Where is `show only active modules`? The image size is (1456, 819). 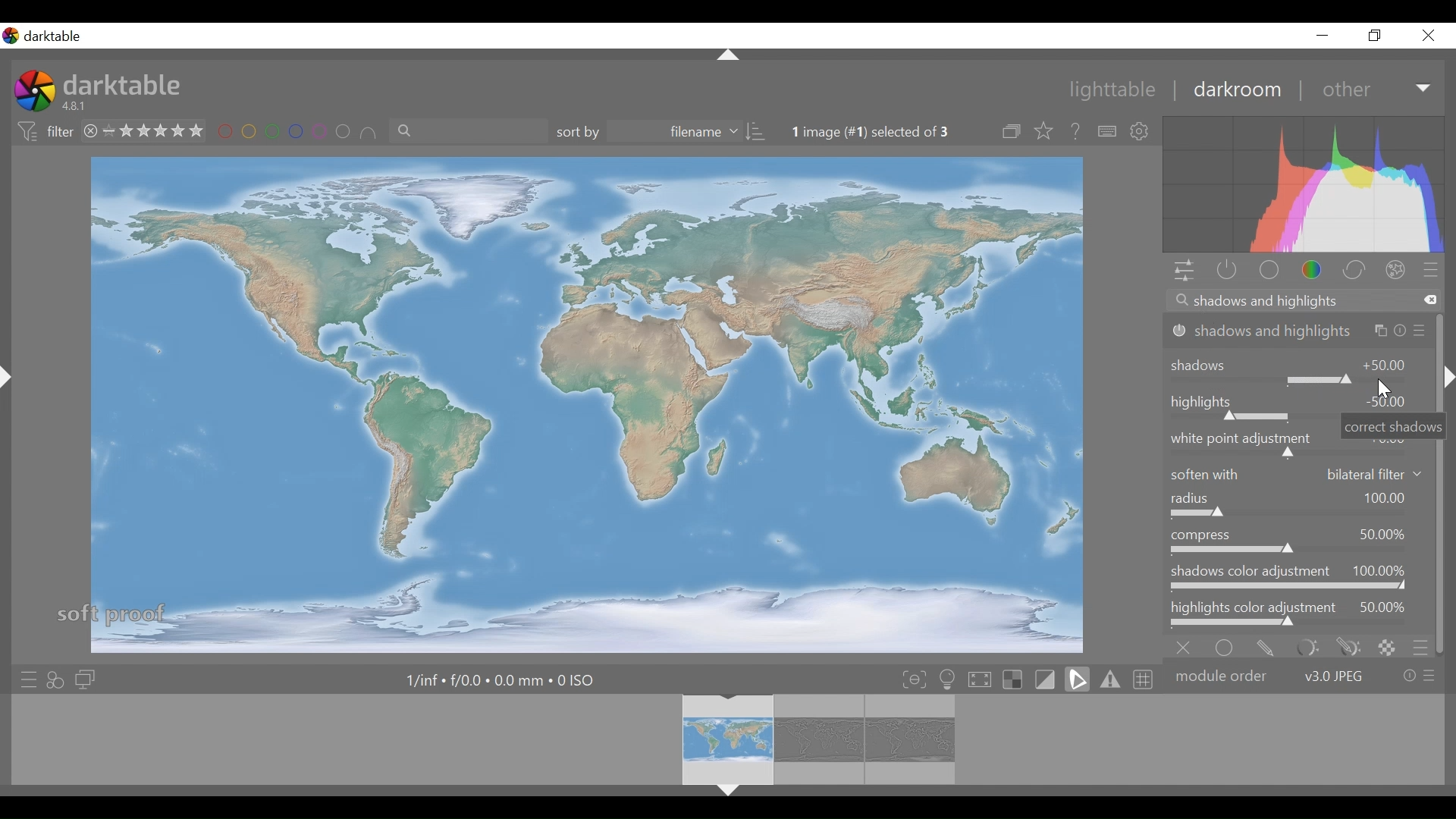 show only active modules is located at coordinates (1226, 271).